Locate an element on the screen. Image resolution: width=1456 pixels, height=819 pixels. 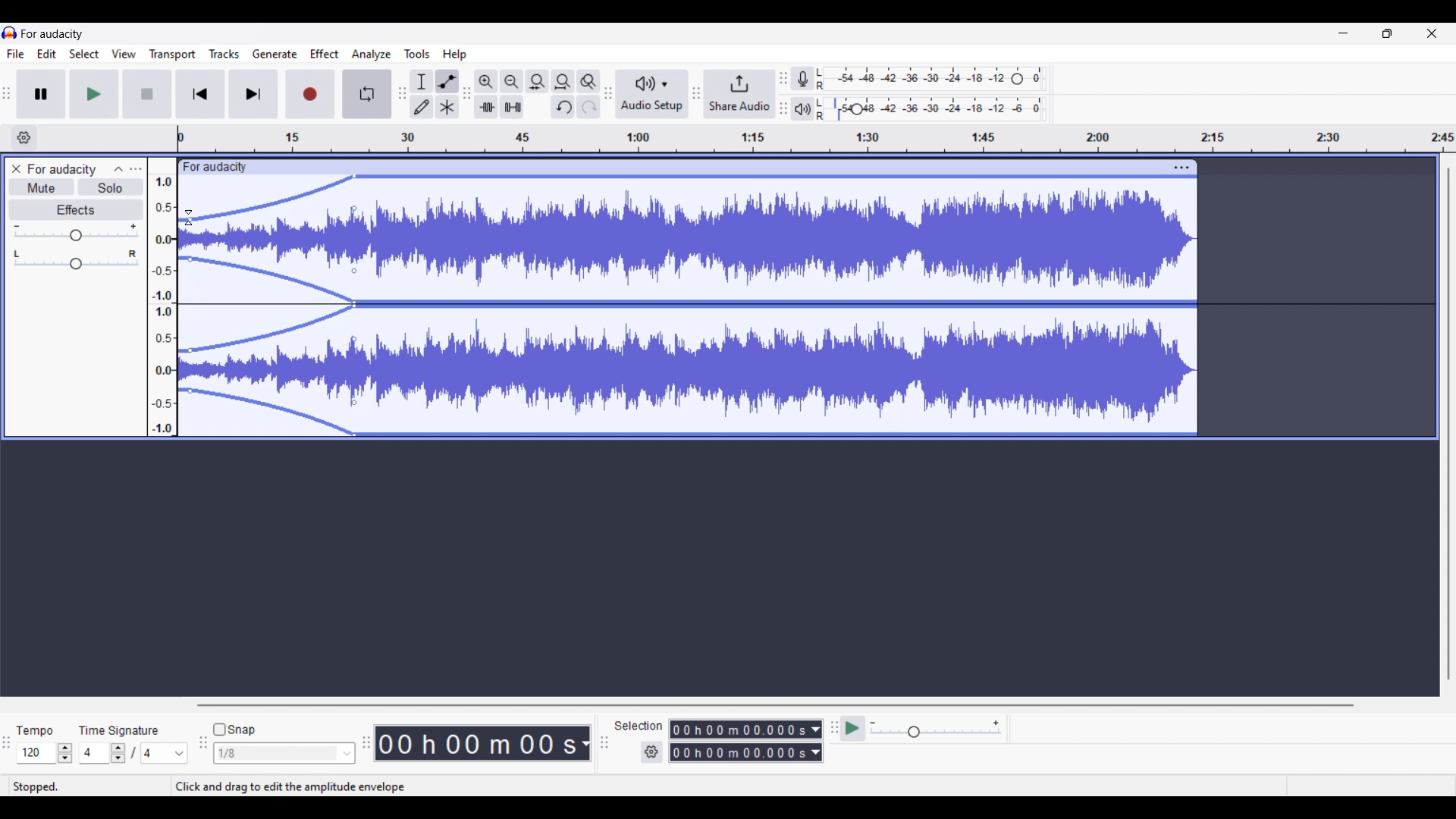
File is located at coordinates (16, 54).